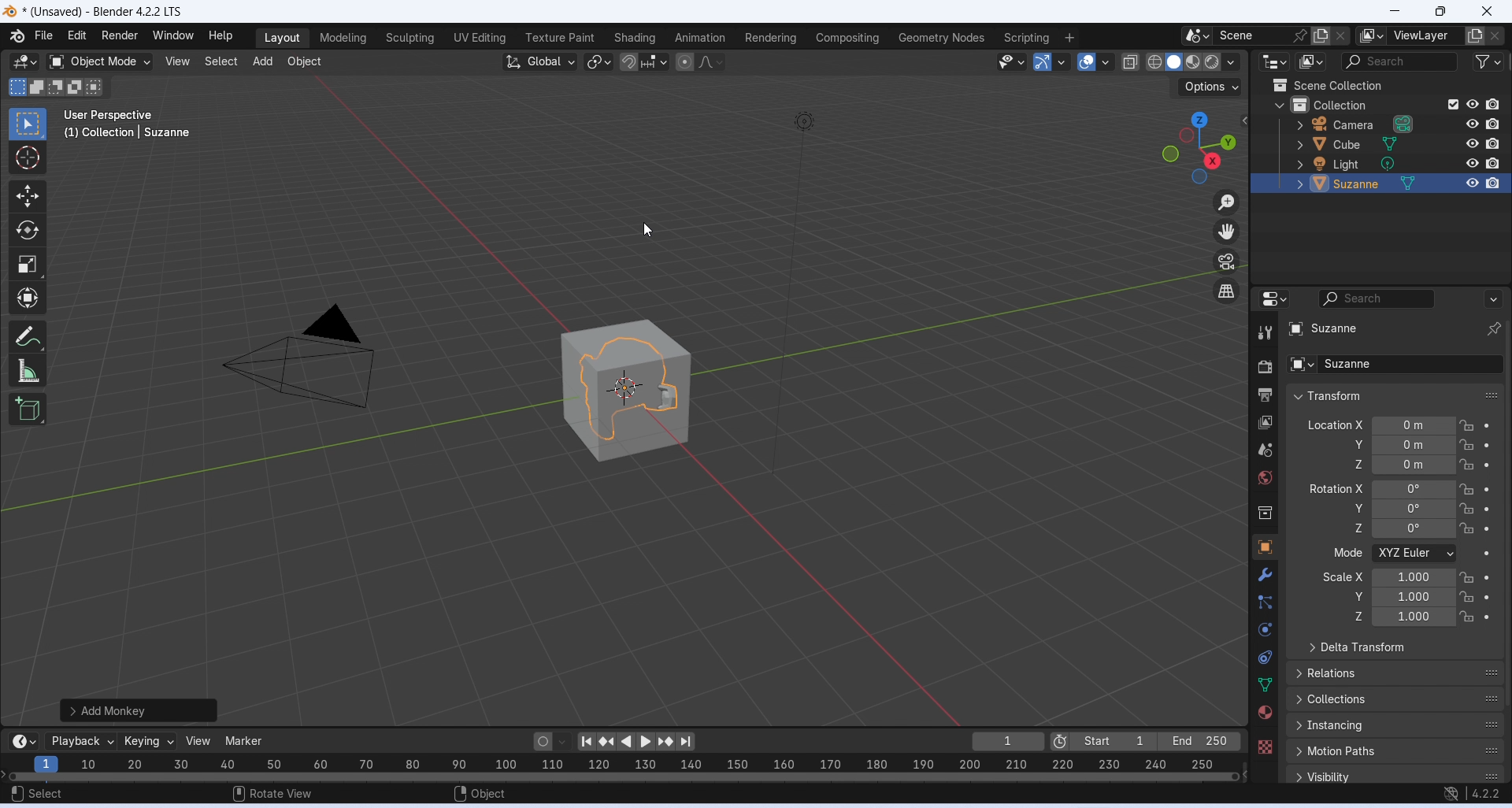 The image size is (1512, 808). Describe the element at coordinates (1265, 369) in the screenshot. I see `render` at that location.